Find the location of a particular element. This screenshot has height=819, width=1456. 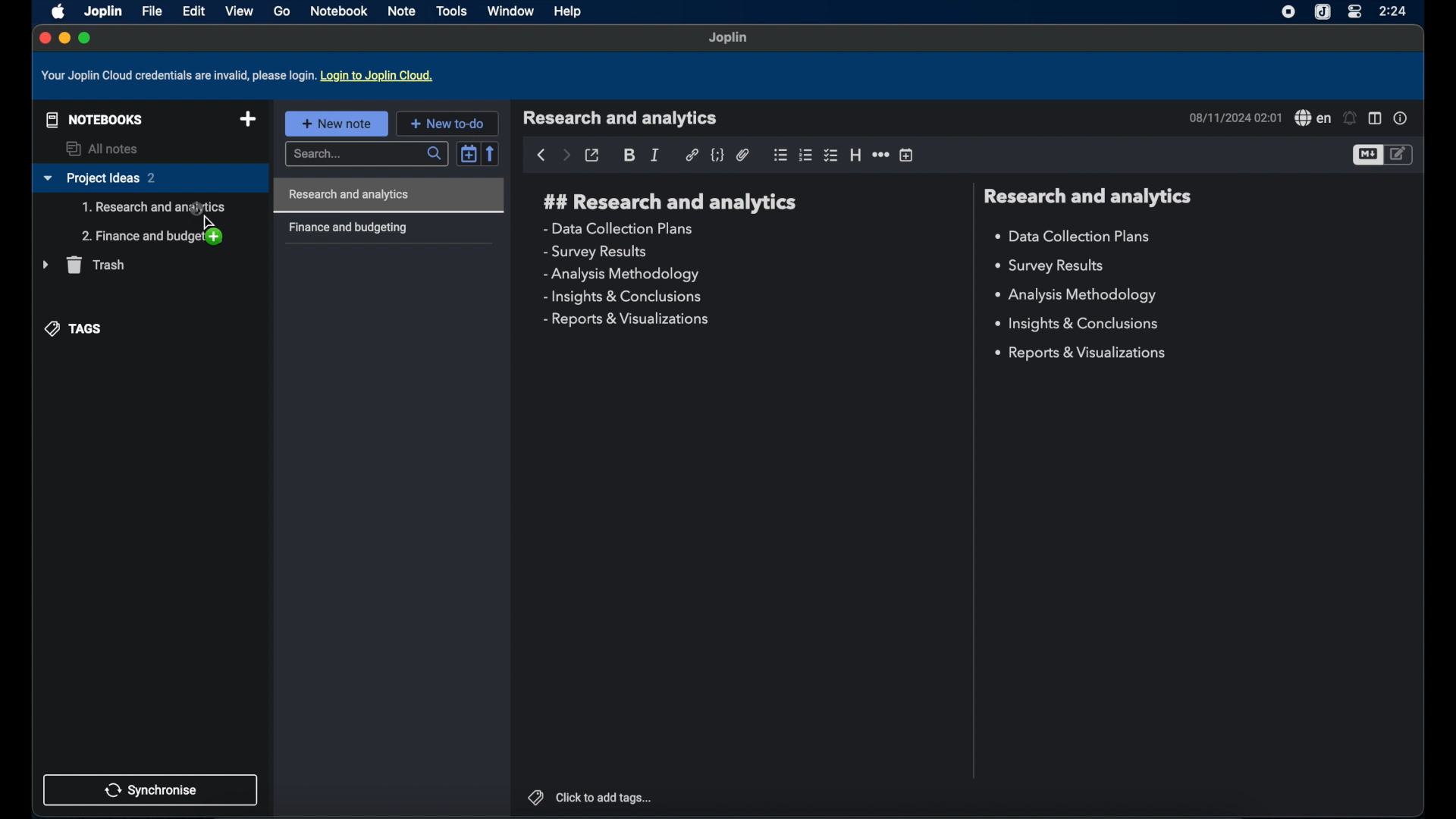

your joplin cloud credentials are invalid, please log in.  Login to joplin cloud is located at coordinates (240, 76).